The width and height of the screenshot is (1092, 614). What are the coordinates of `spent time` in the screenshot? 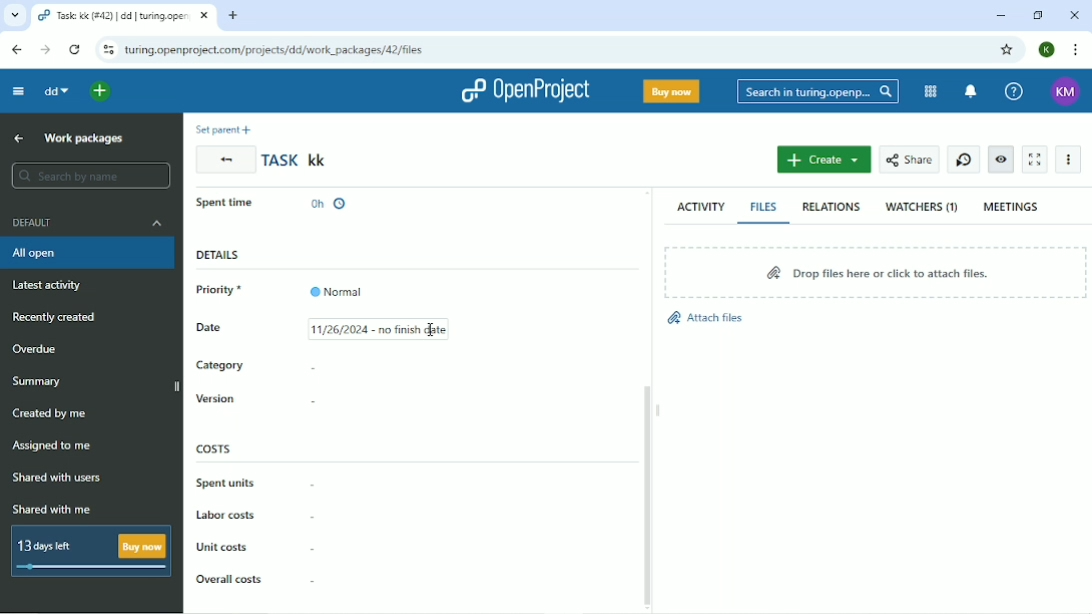 It's located at (230, 201).